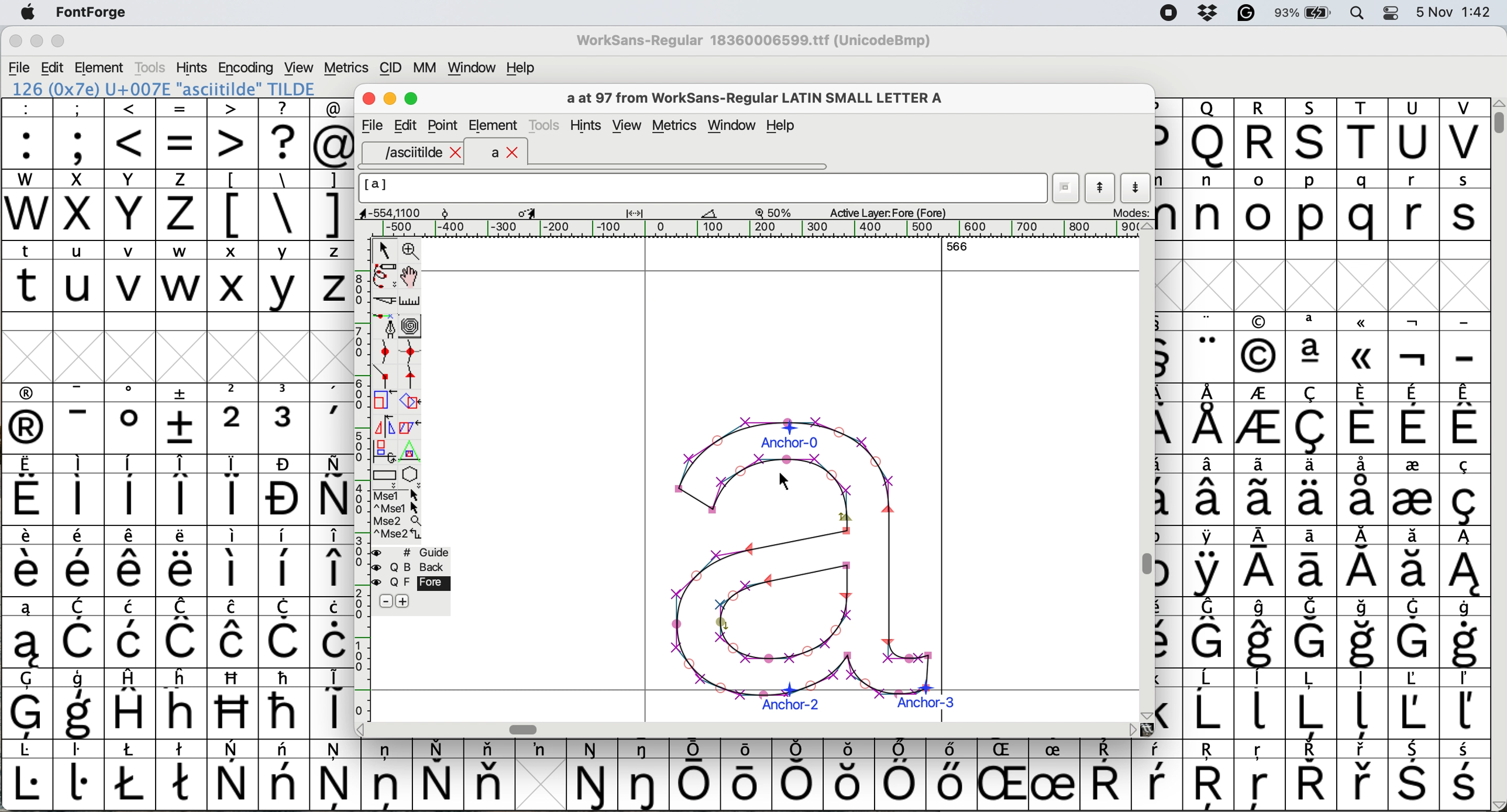  I want to click on symbol, so click(286, 418).